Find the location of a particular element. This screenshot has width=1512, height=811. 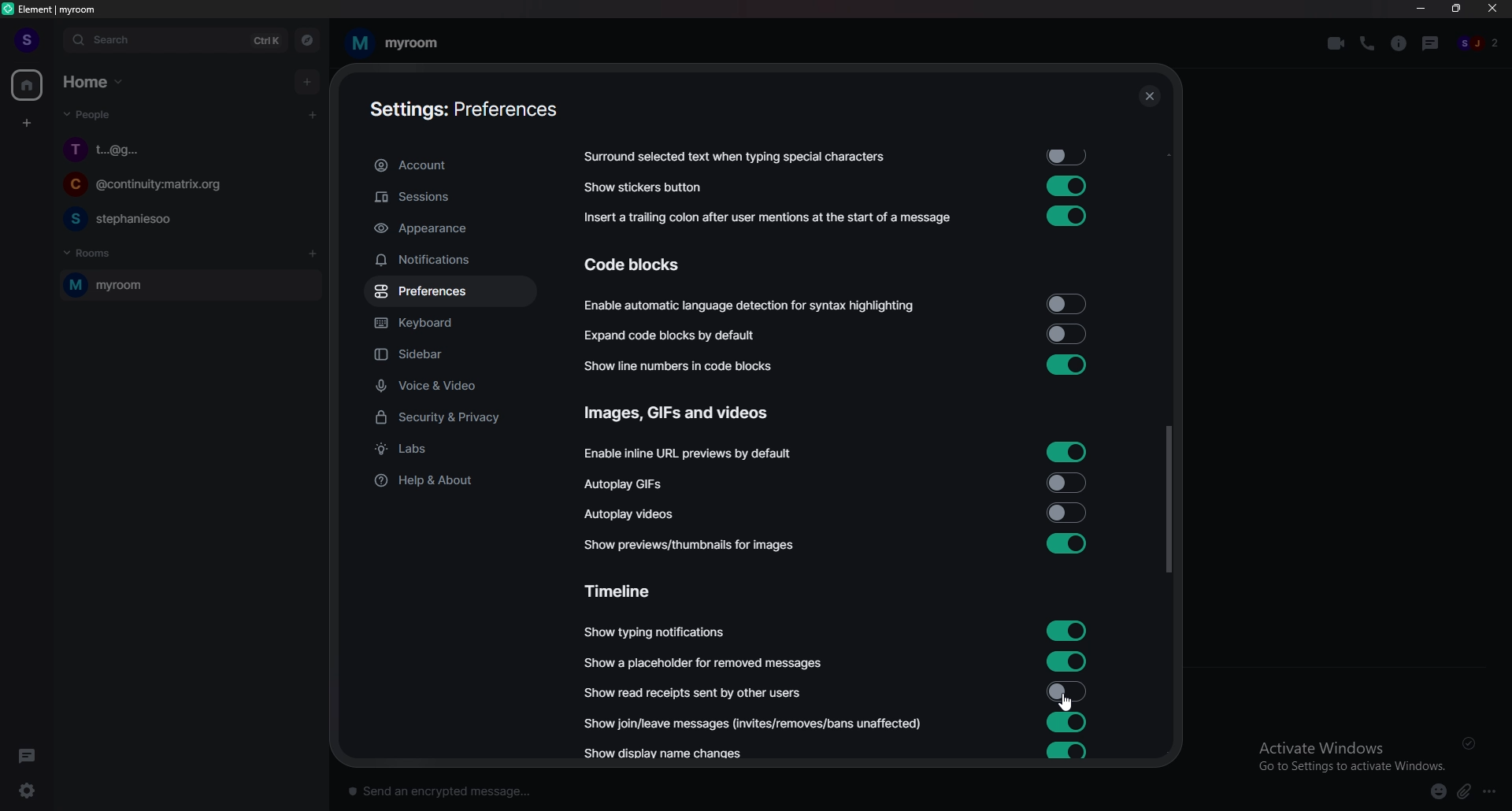

toggle is located at coordinates (1067, 185).